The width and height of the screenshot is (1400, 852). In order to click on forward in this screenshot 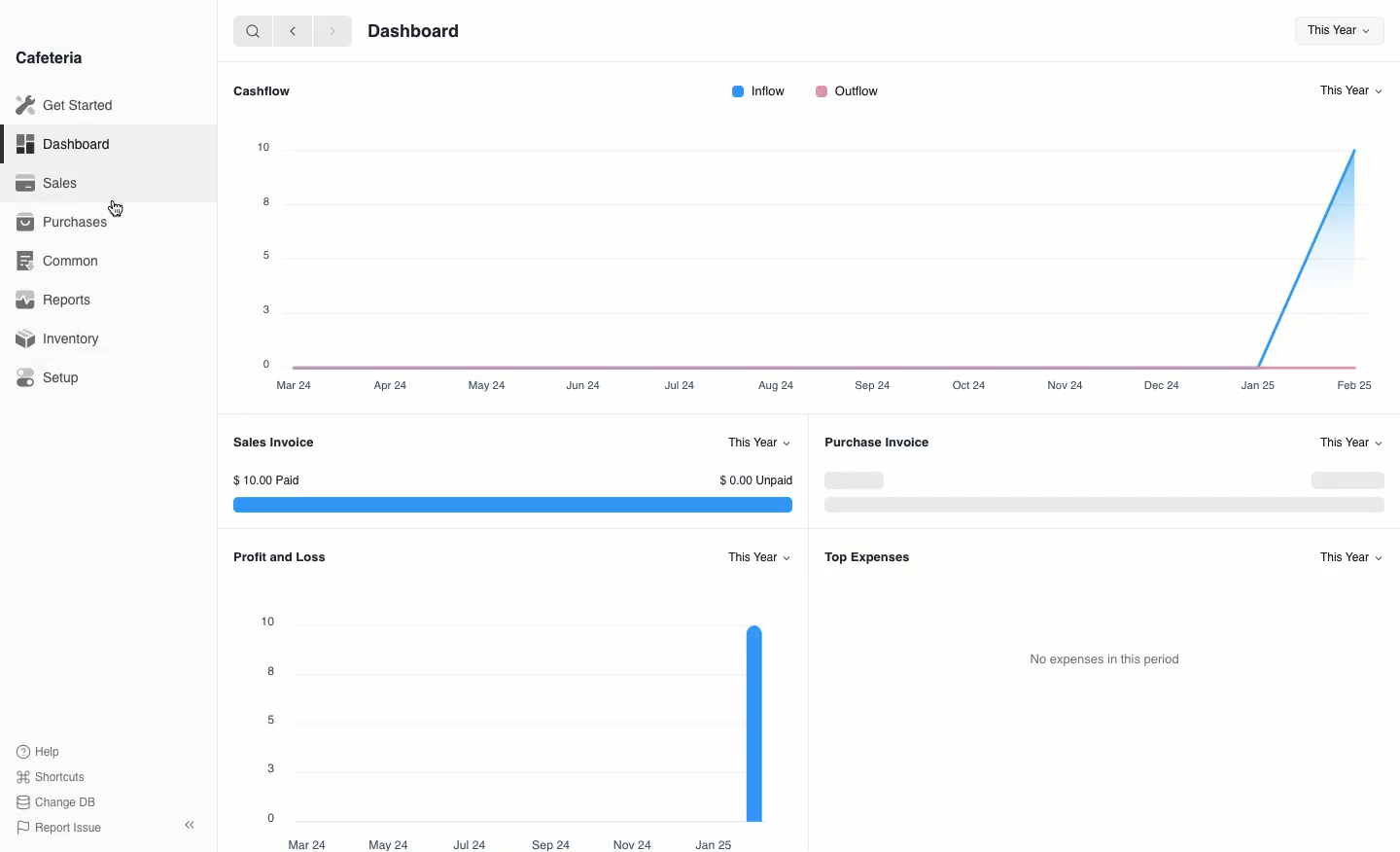, I will do `click(334, 31)`.